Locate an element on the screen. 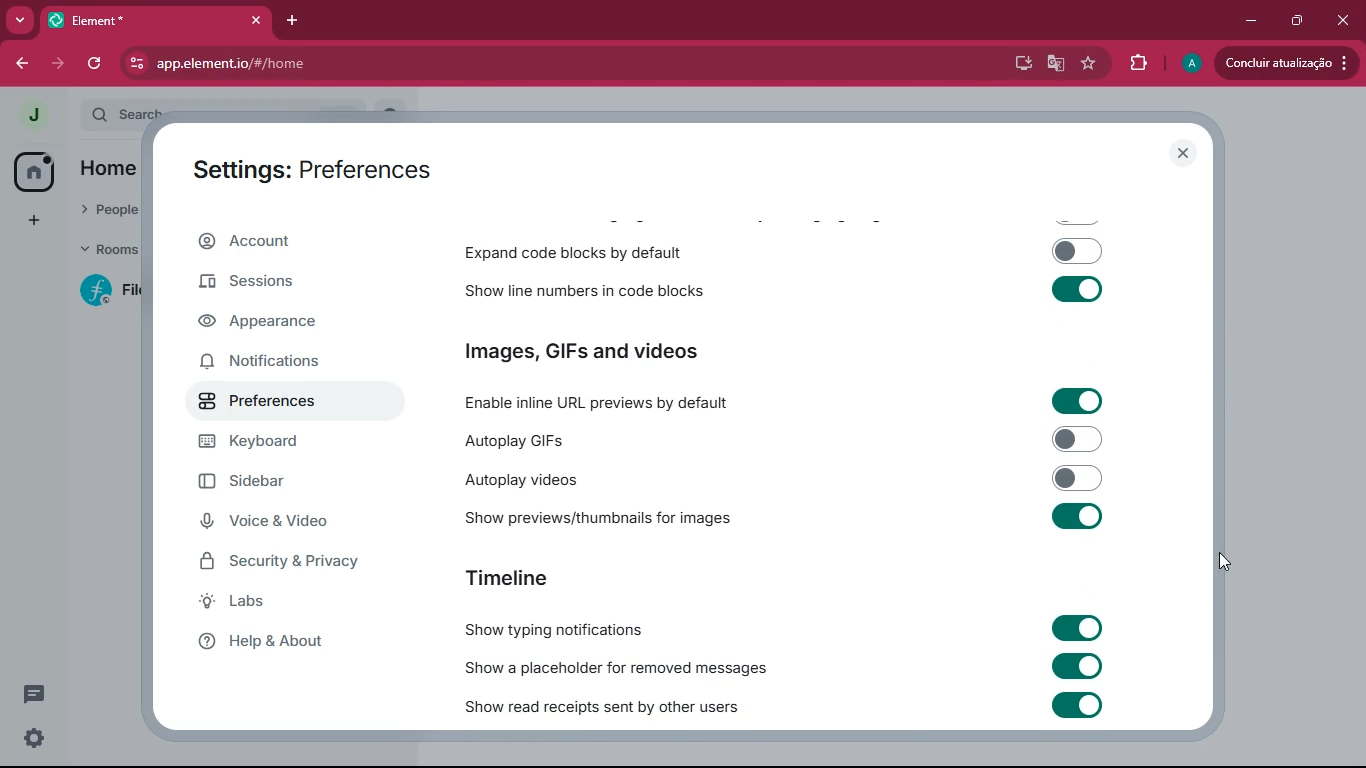  keyboard is located at coordinates (277, 444).